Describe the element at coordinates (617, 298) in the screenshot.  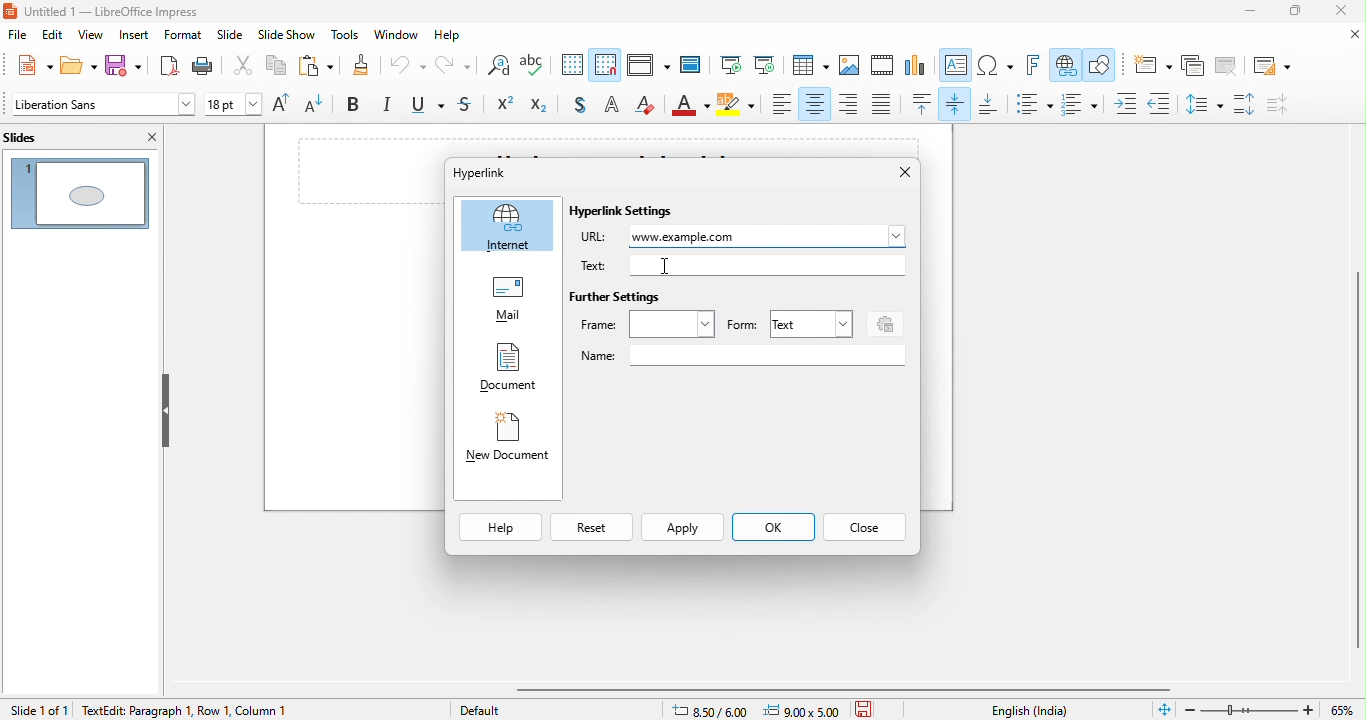
I see `further settings` at that location.